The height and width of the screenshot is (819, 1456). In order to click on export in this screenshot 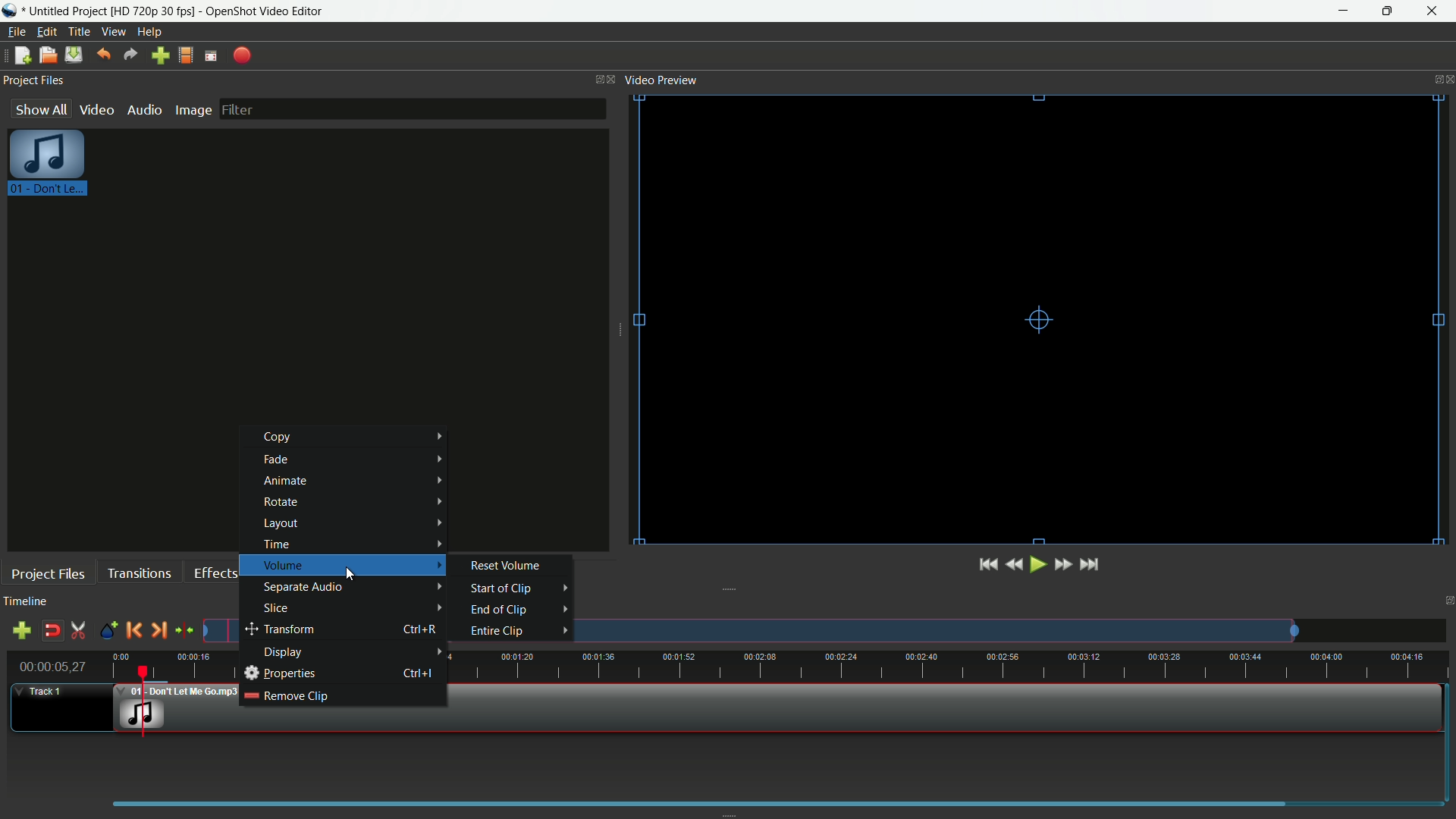, I will do `click(243, 55)`.